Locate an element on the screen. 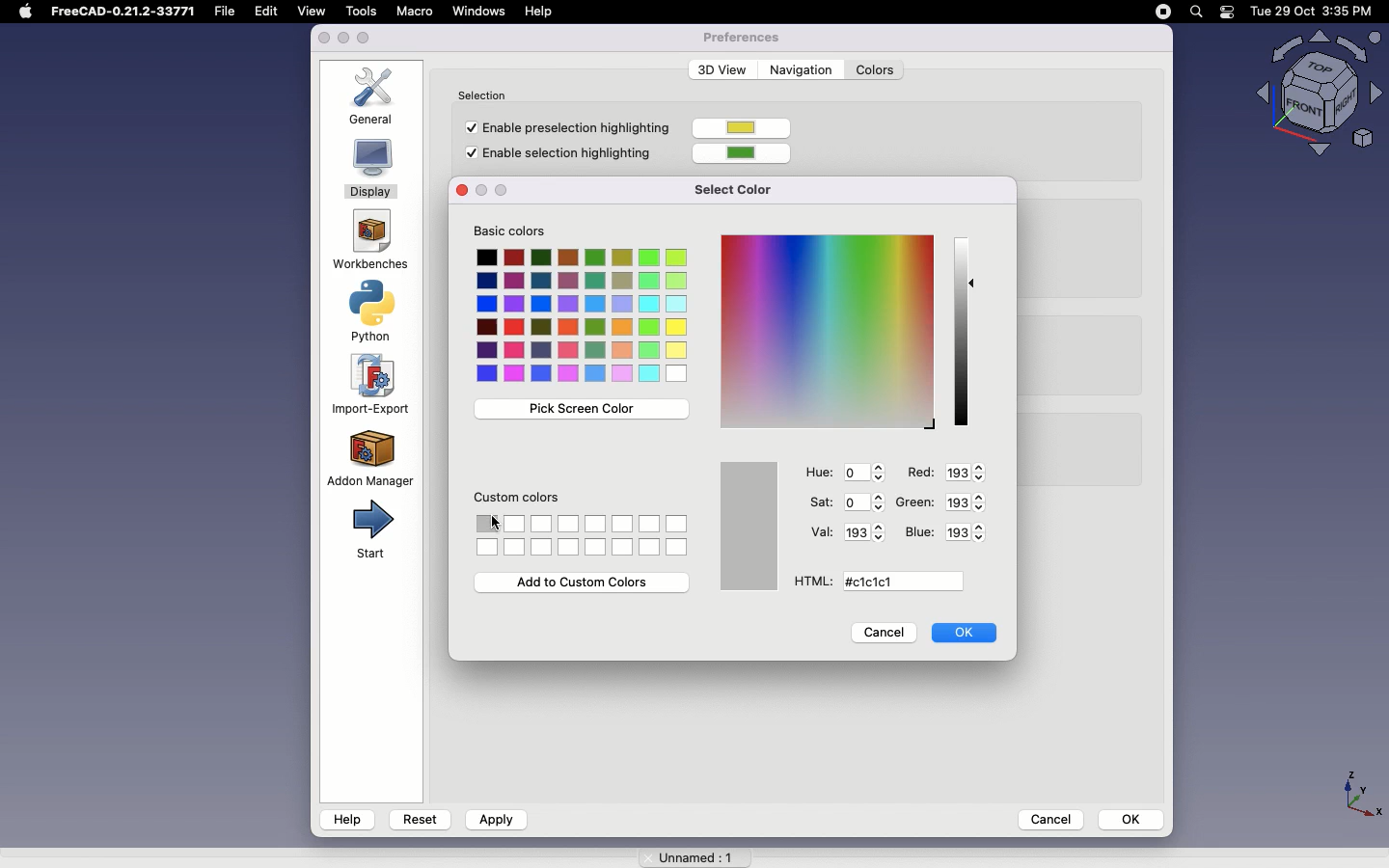 This screenshot has height=868, width=1389. General is located at coordinates (377, 95).